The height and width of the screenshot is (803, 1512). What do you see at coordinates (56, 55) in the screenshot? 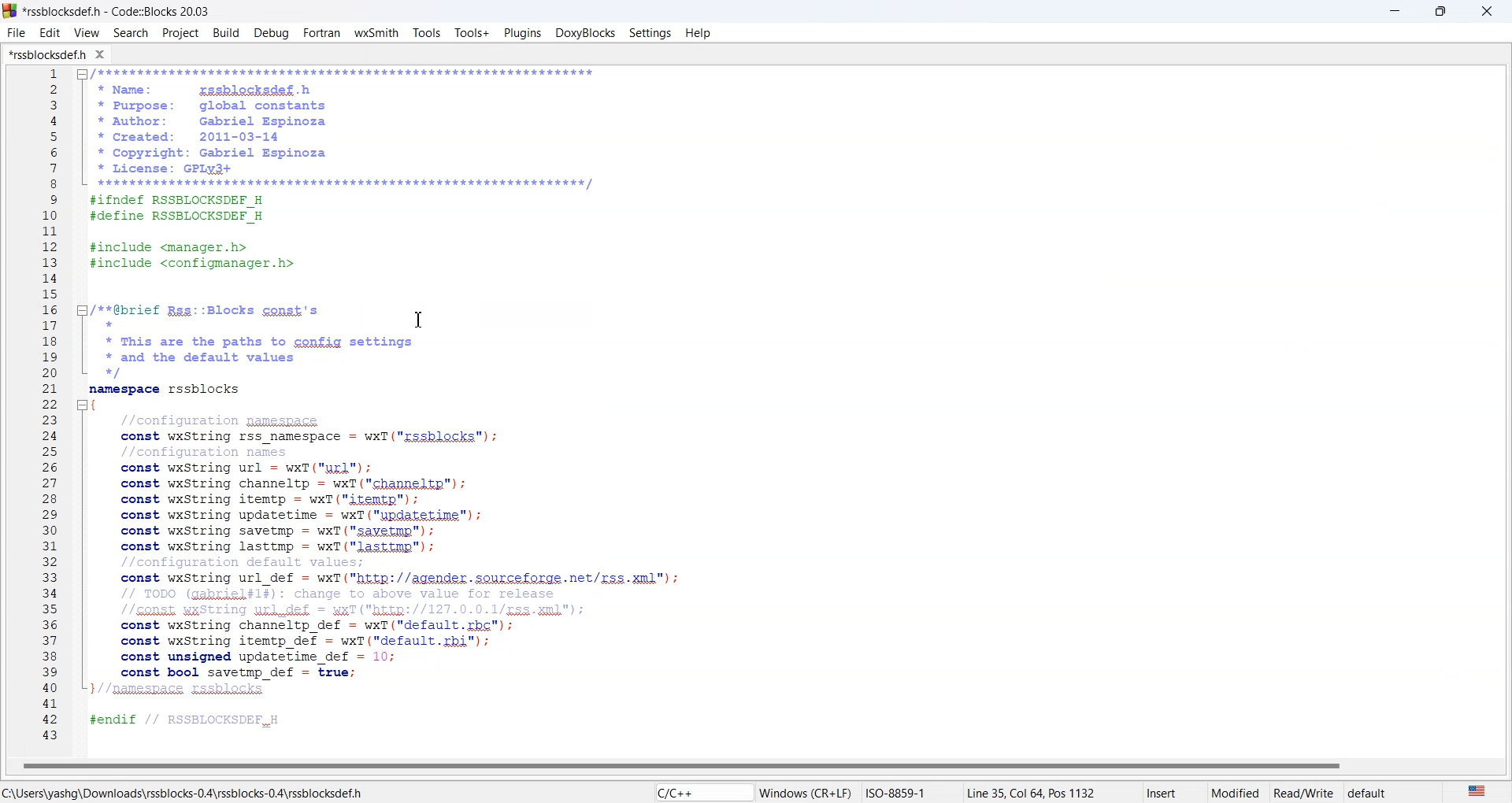
I see `Folder` at bounding box center [56, 55].